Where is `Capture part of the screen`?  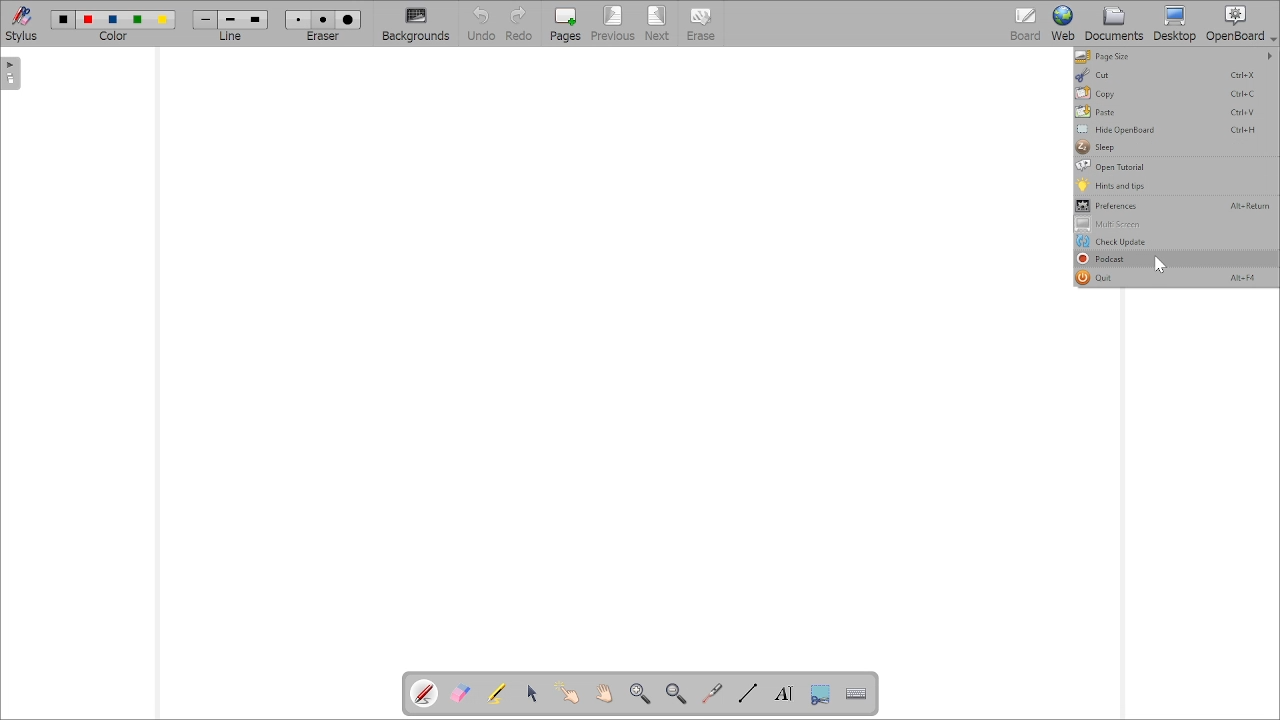 Capture part of the screen is located at coordinates (821, 695).